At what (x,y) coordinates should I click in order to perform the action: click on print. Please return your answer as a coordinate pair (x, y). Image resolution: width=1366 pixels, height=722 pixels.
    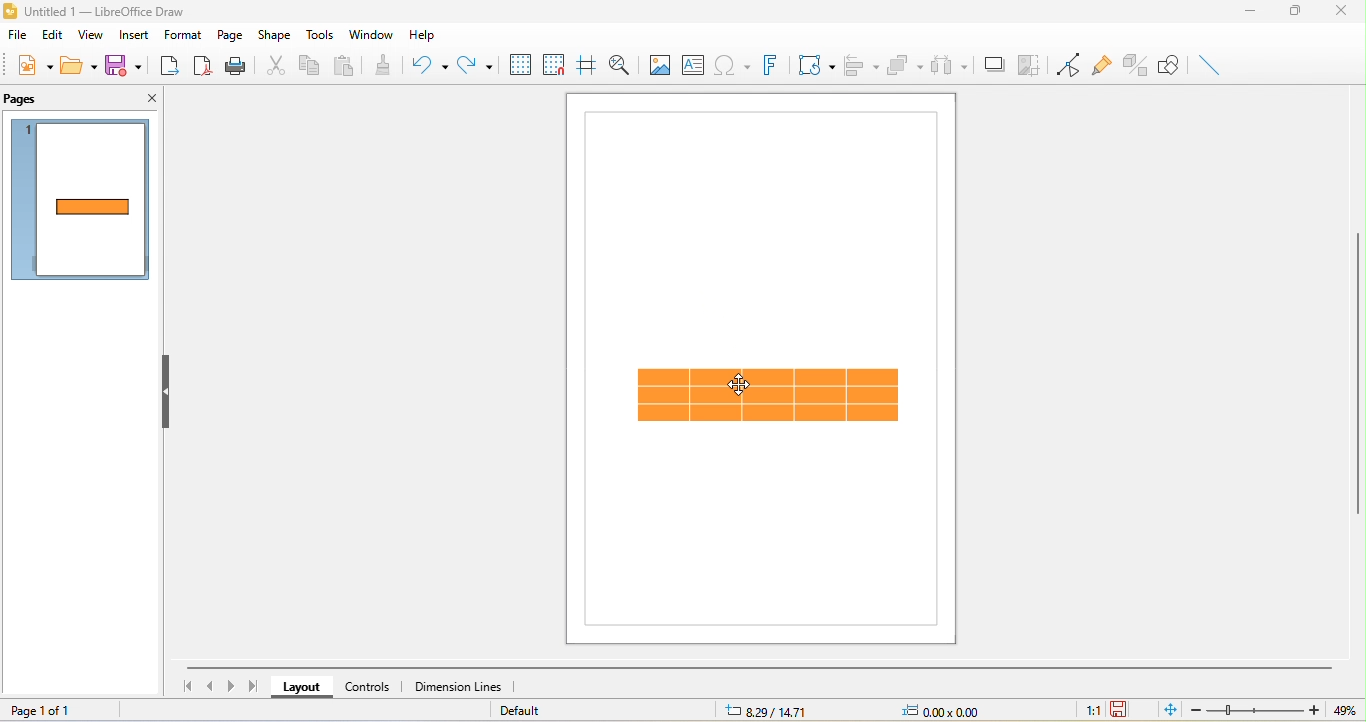
    Looking at the image, I should click on (235, 64).